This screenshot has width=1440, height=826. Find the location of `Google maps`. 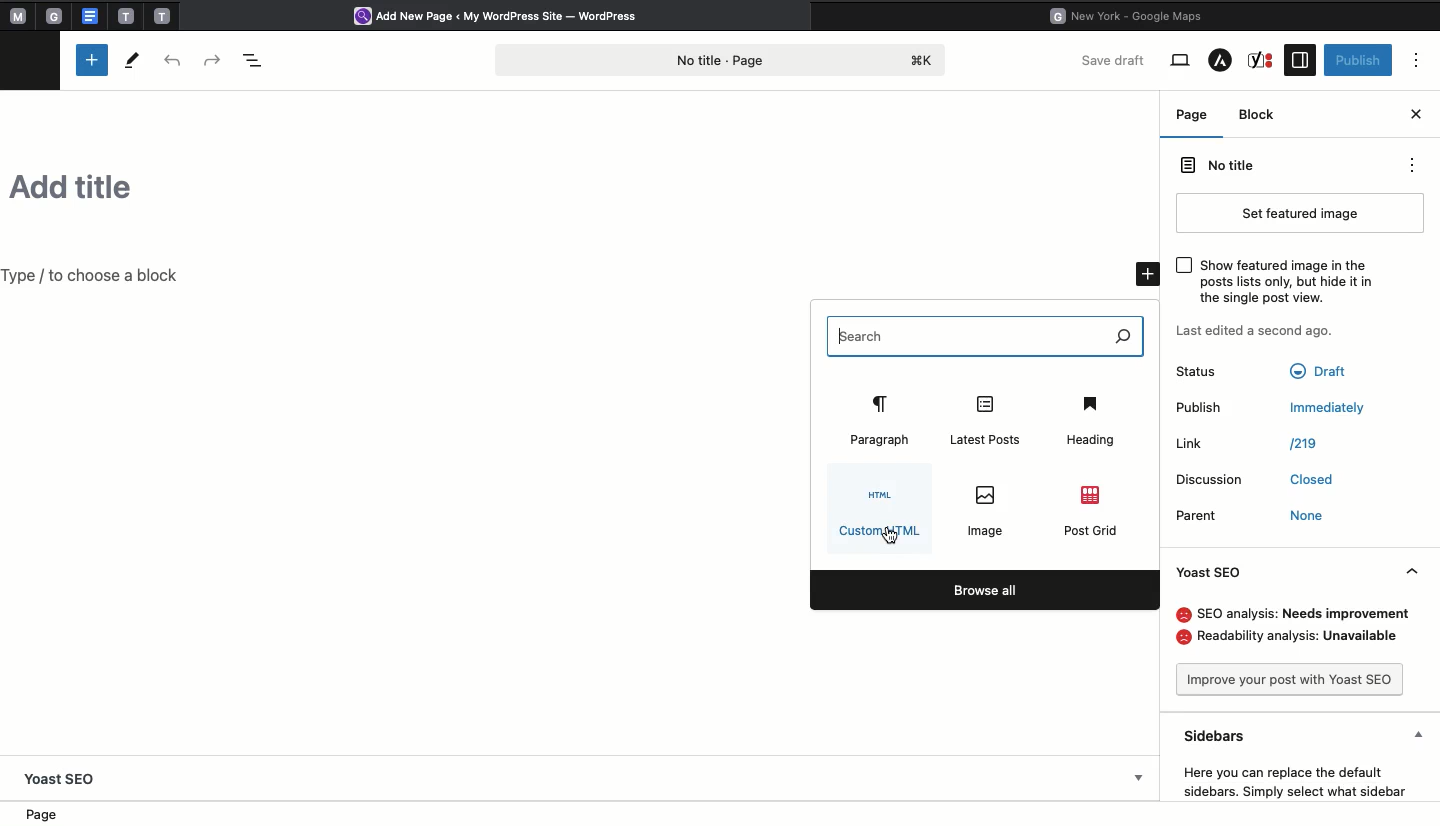

Google maps is located at coordinates (1133, 14).